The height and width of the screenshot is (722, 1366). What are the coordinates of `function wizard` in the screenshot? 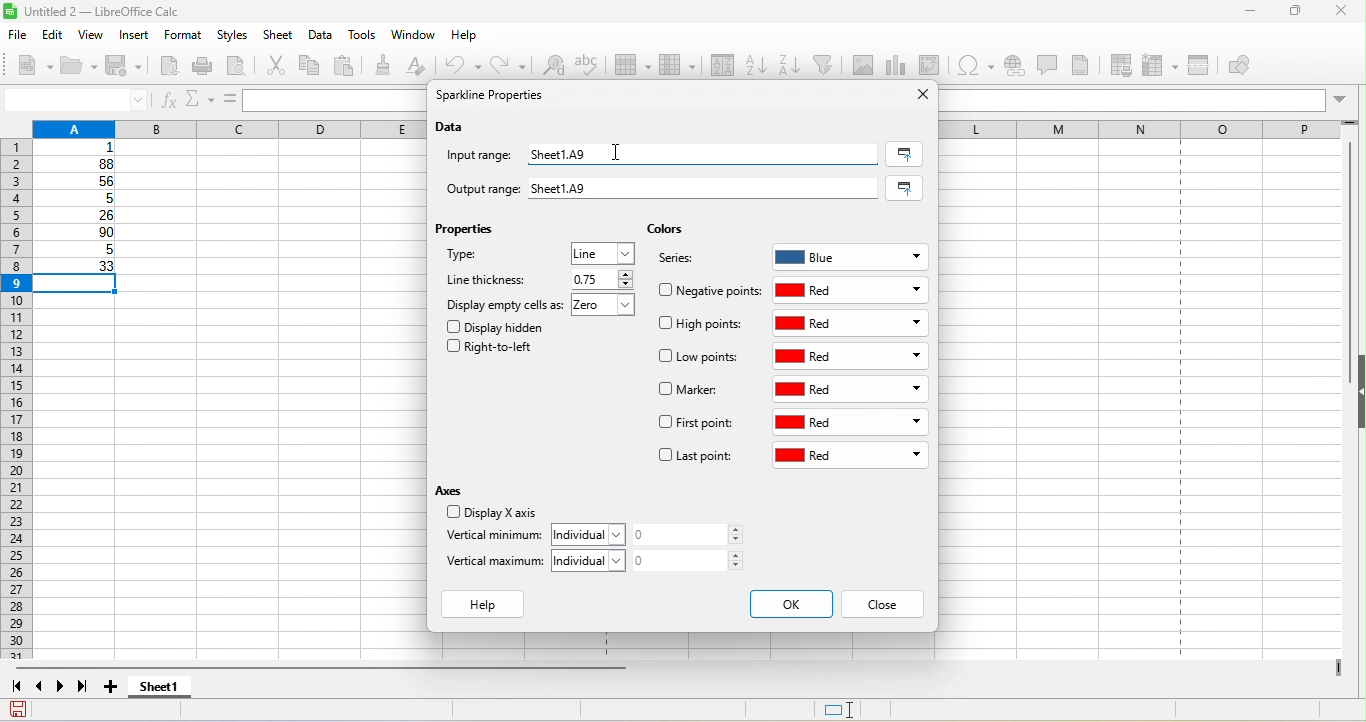 It's located at (169, 101).